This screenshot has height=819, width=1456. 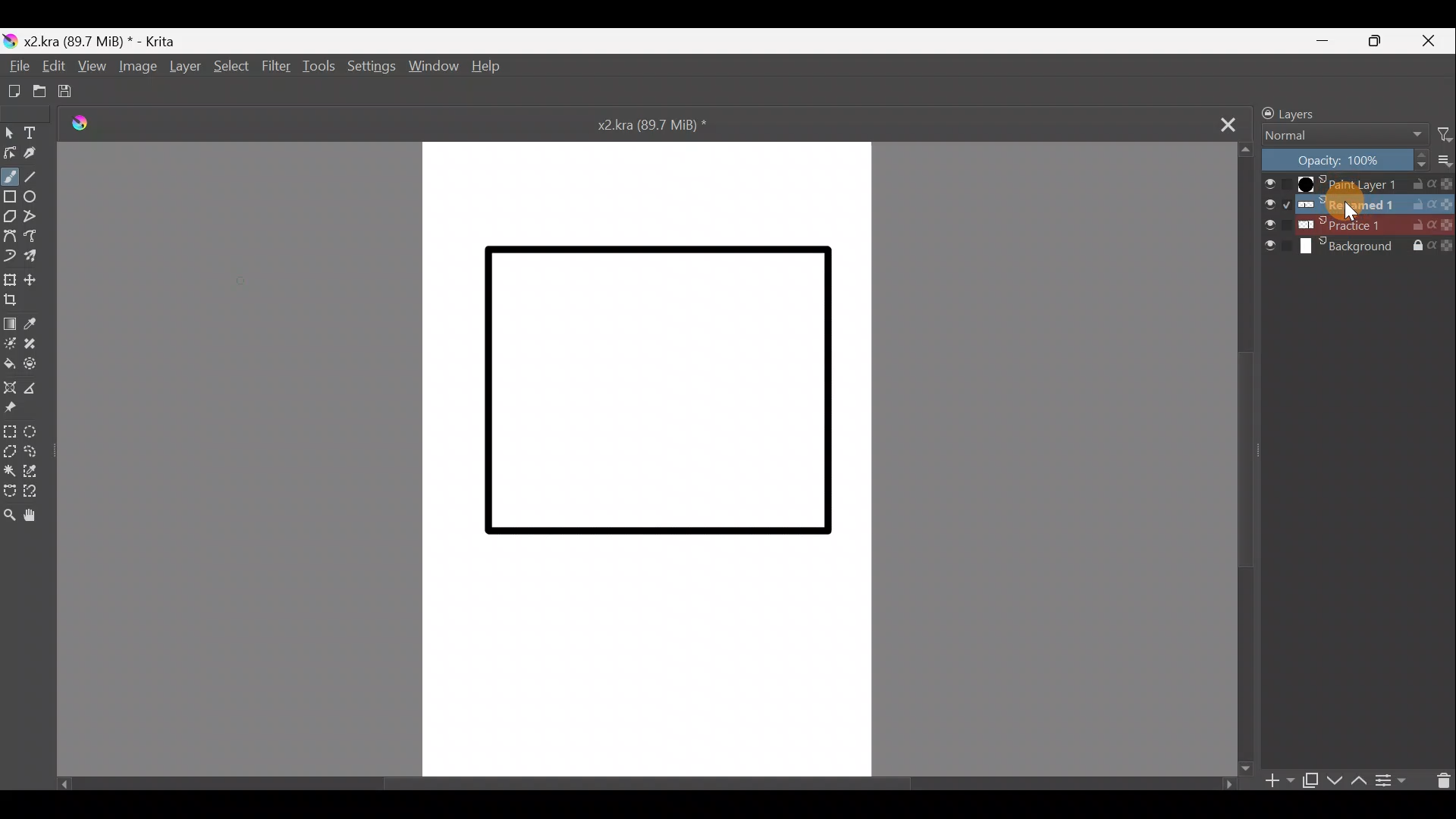 What do you see at coordinates (11, 364) in the screenshot?
I see `Fill a contiguous area of colour with colour/fill a selection` at bounding box center [11, 364].